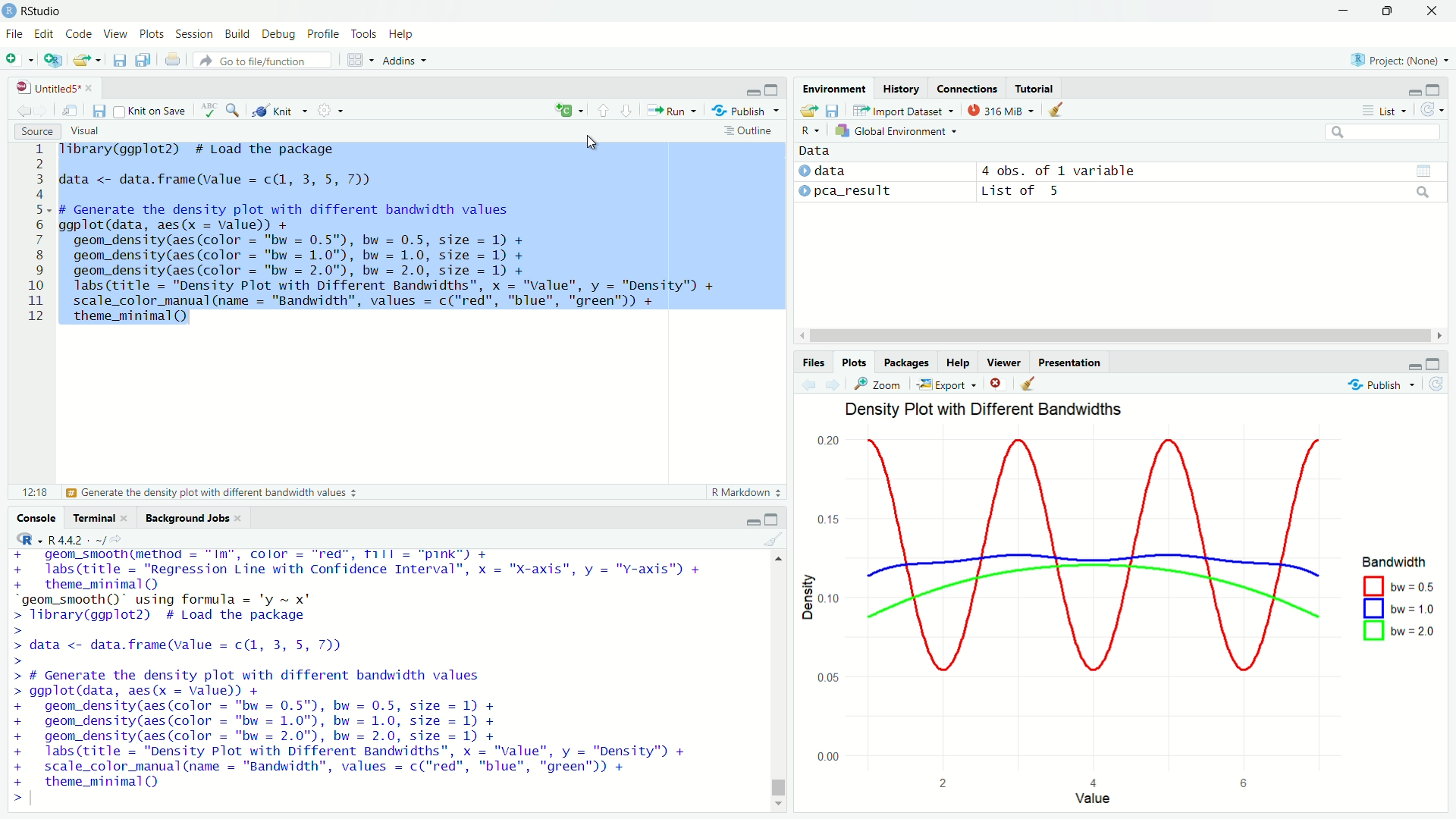  Describe the element at coordinates (119, 61) in the screenshot. I see `Save current document` at that location.